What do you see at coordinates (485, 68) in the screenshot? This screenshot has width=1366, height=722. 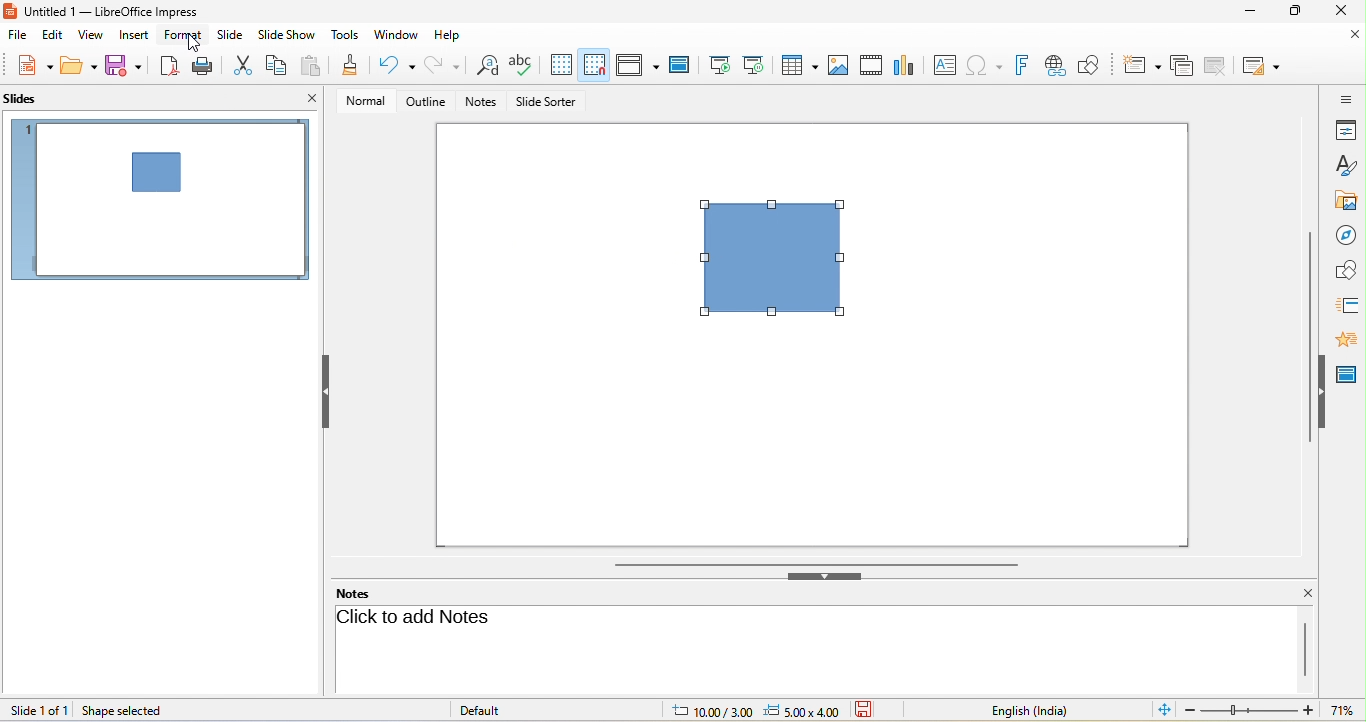 I see `find and replace` at bounding box center [485, 68].